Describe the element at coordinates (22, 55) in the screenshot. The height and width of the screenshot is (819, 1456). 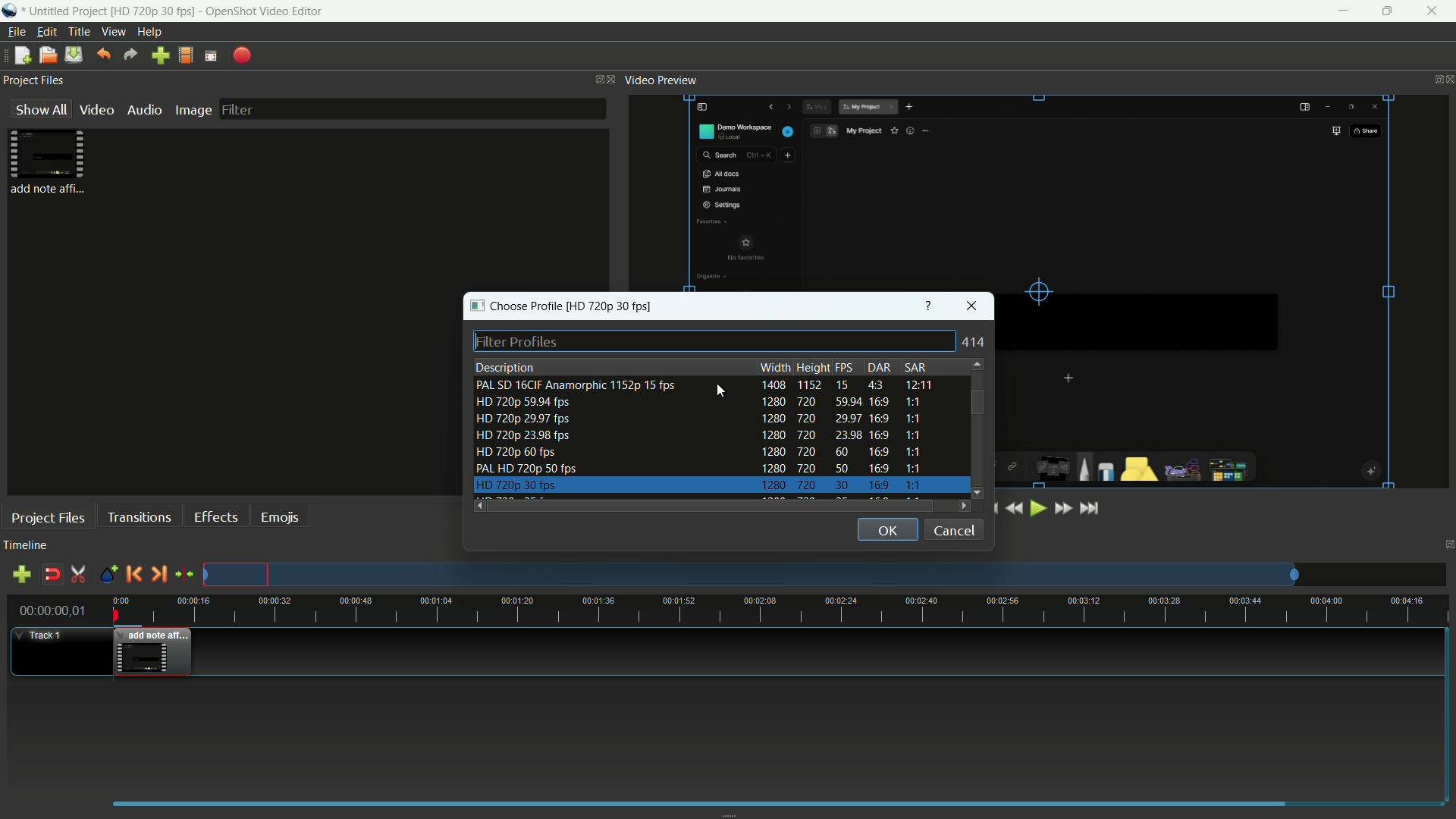
I see `new file` at that location.